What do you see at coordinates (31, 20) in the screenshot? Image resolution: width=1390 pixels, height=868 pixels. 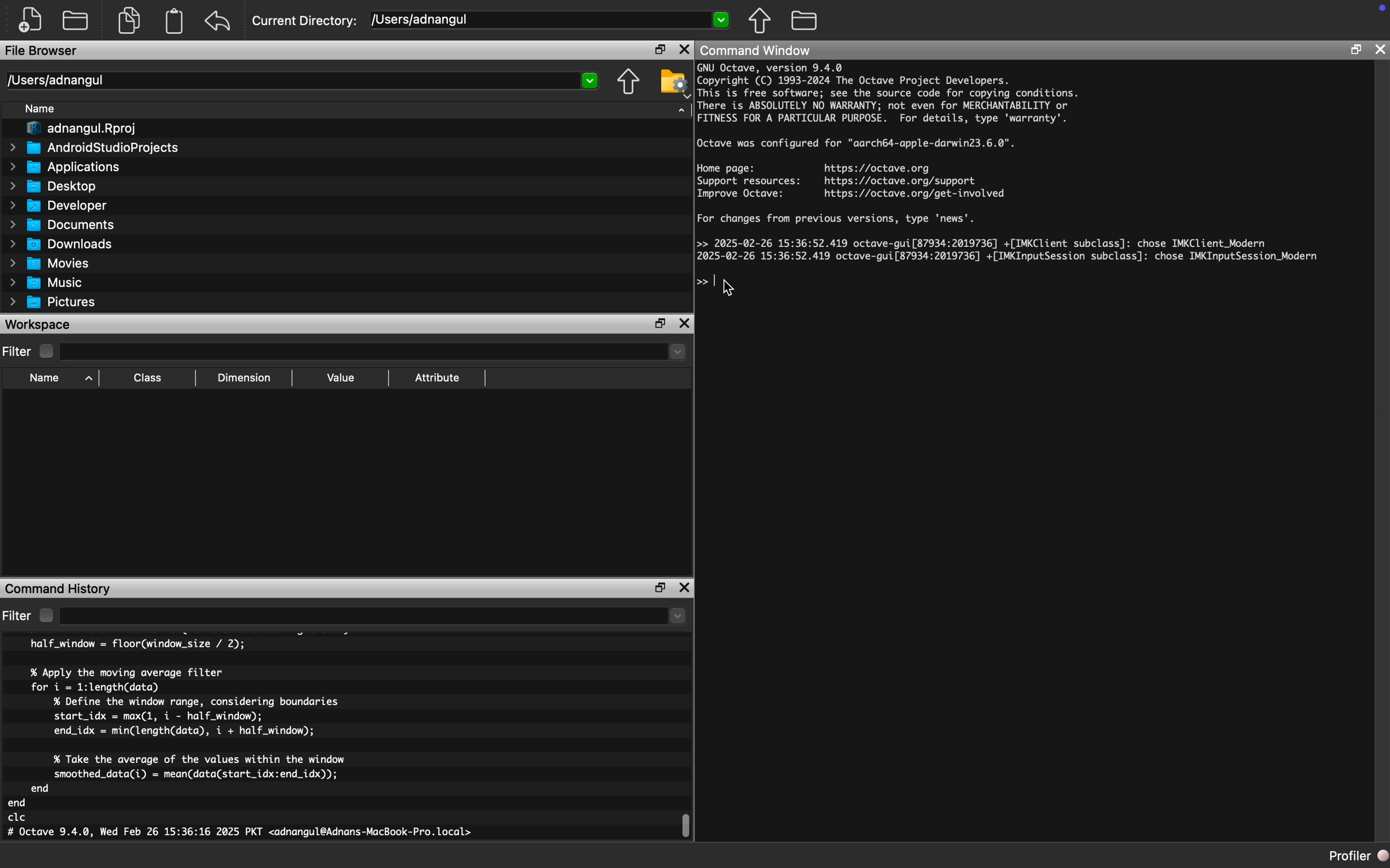 I see `New File` at bounding box center [31, 20].